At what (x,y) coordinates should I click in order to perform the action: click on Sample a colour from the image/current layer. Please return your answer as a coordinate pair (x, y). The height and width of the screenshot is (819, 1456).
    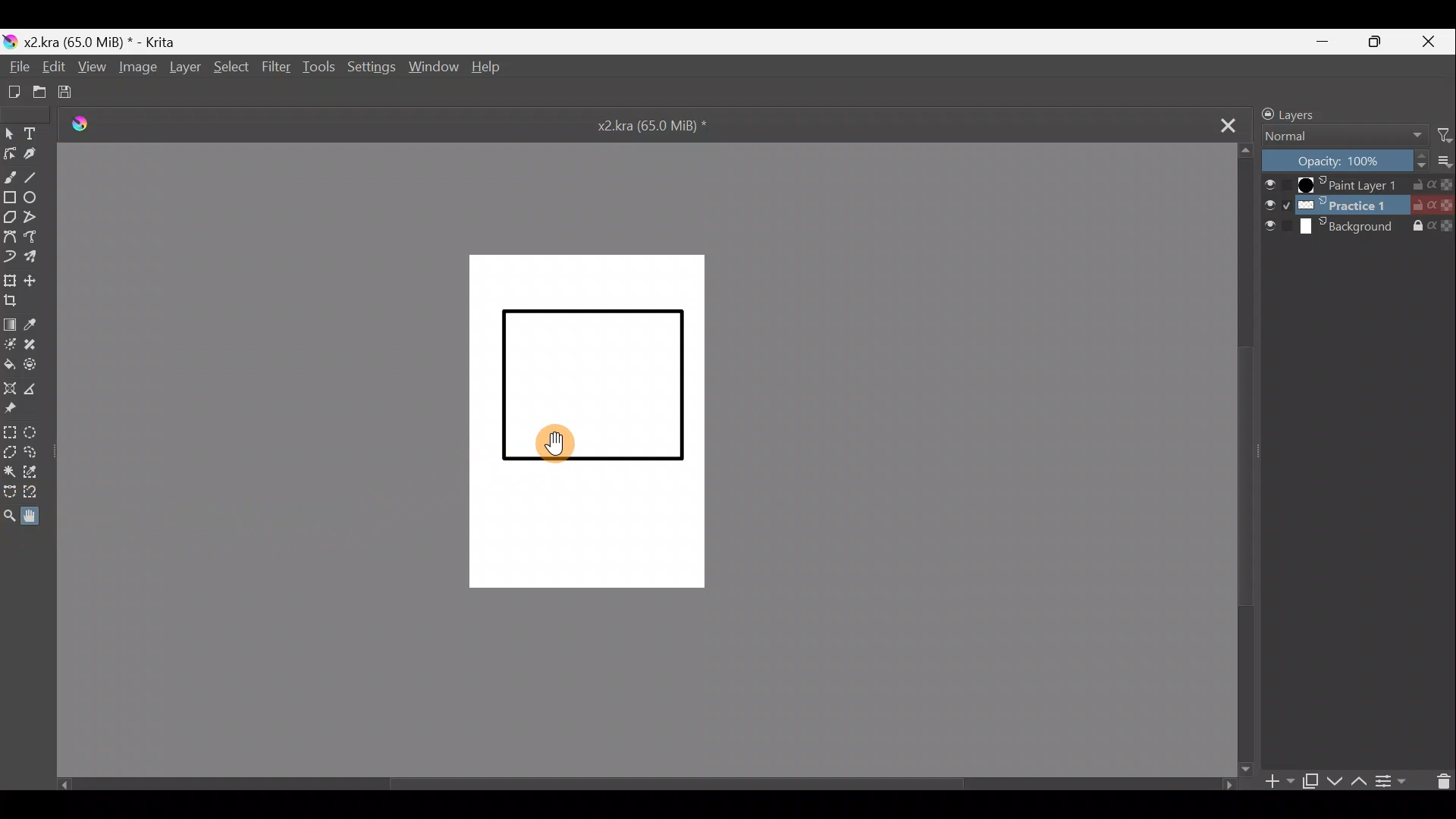
    Looking at the image, I should click on (38, 324).